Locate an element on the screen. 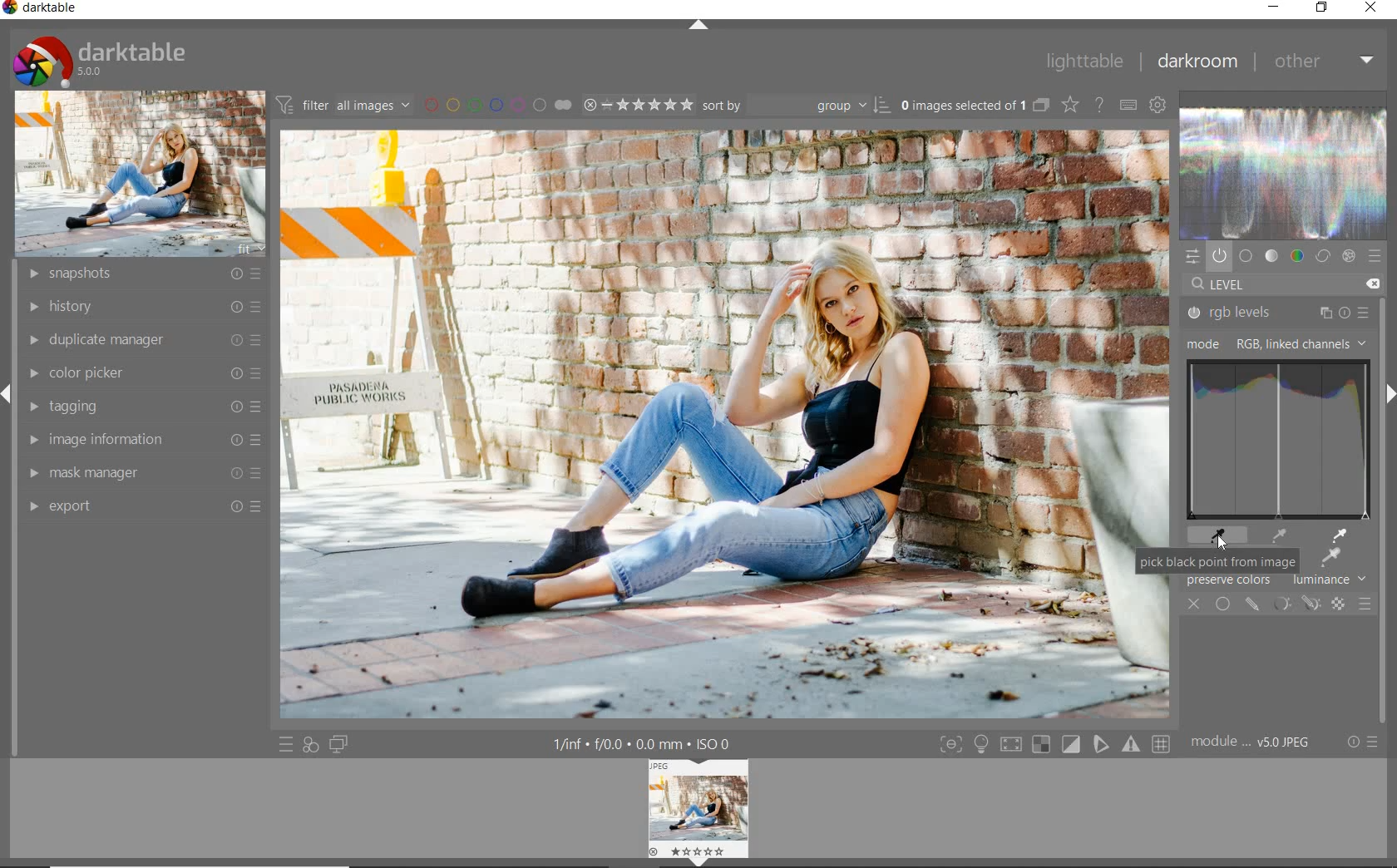  lighttable is located at coordinates (1090, 61).